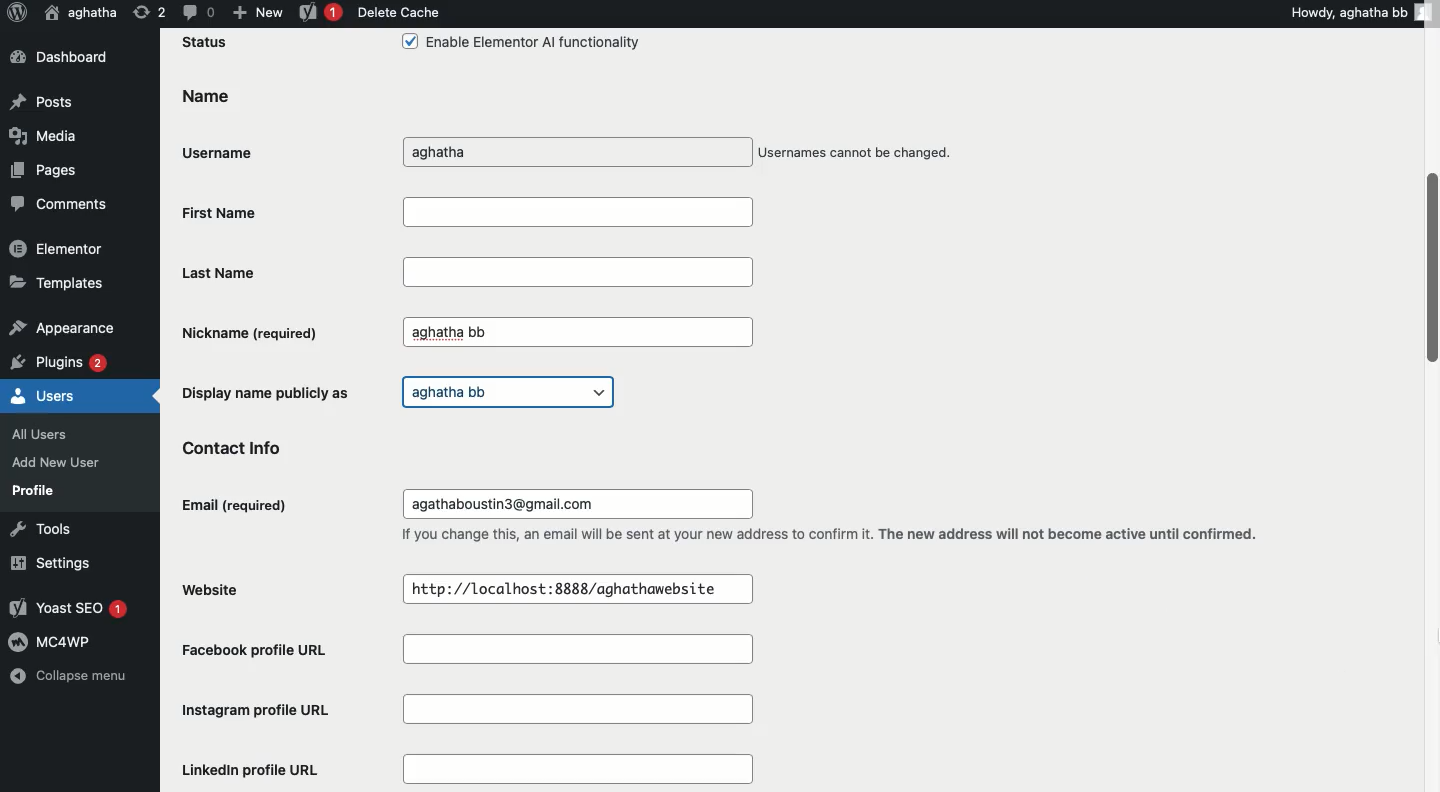 This screenshot has width=1440, height=792. What do you see at coordinates (237, 506) in the screenshot?
I see `Email` at bounding box center [237, 506].